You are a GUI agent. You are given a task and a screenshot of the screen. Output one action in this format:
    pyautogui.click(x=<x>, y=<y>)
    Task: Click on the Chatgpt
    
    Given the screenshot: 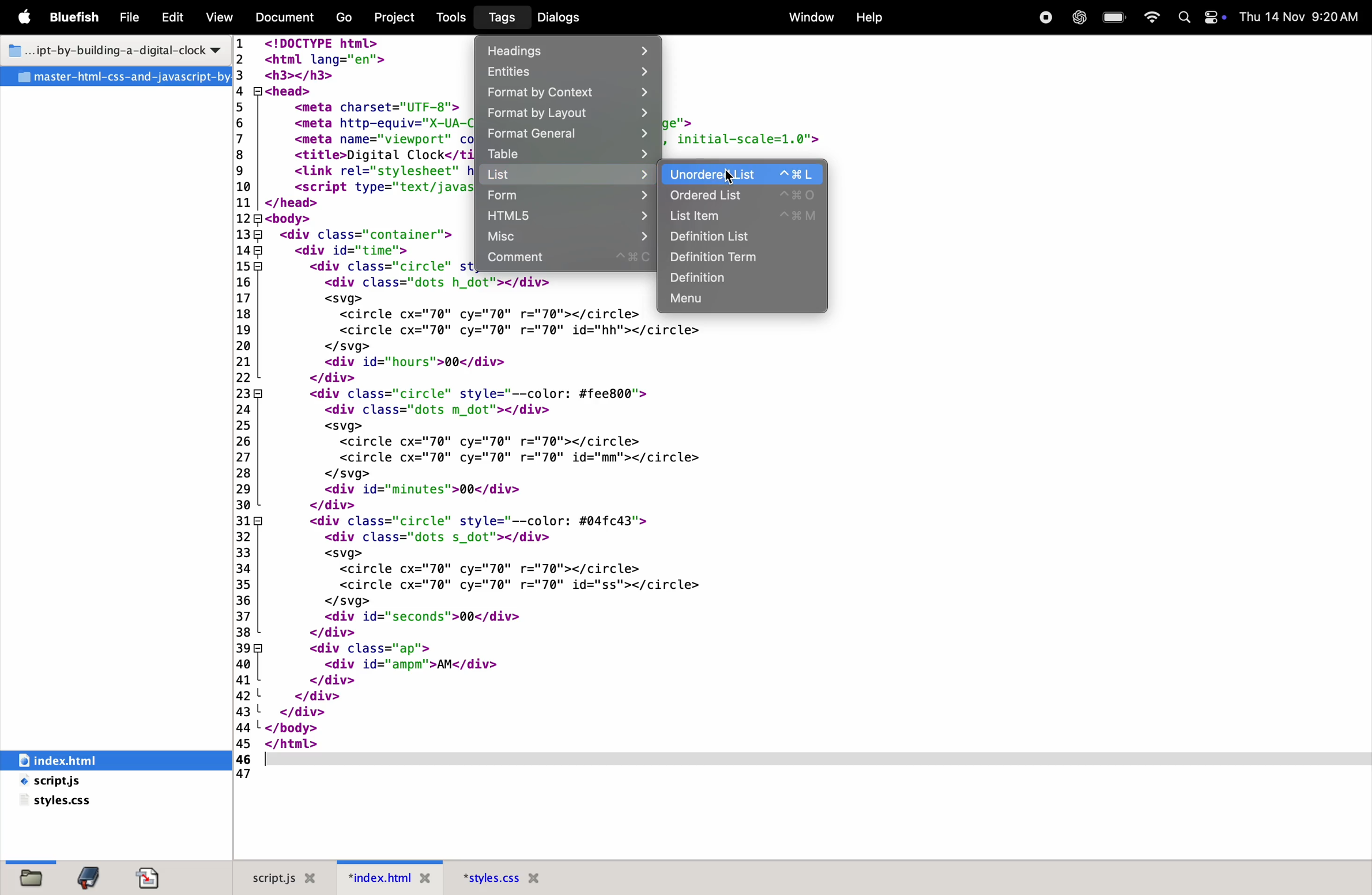 What is the action you would take?
    pyautogui.click(x=1076, y=18)
    